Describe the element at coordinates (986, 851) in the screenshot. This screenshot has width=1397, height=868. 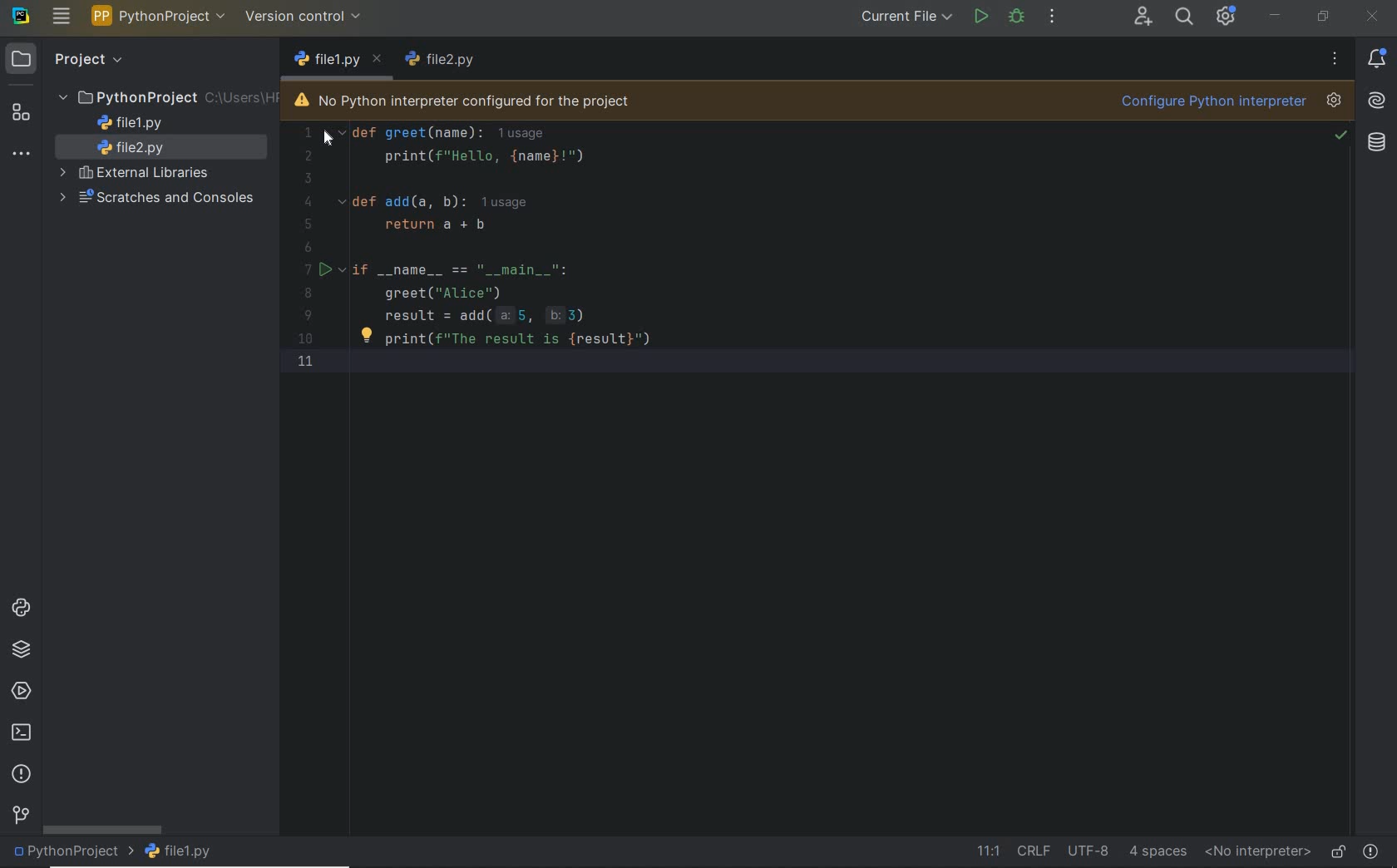
I see `go to line` at that location.